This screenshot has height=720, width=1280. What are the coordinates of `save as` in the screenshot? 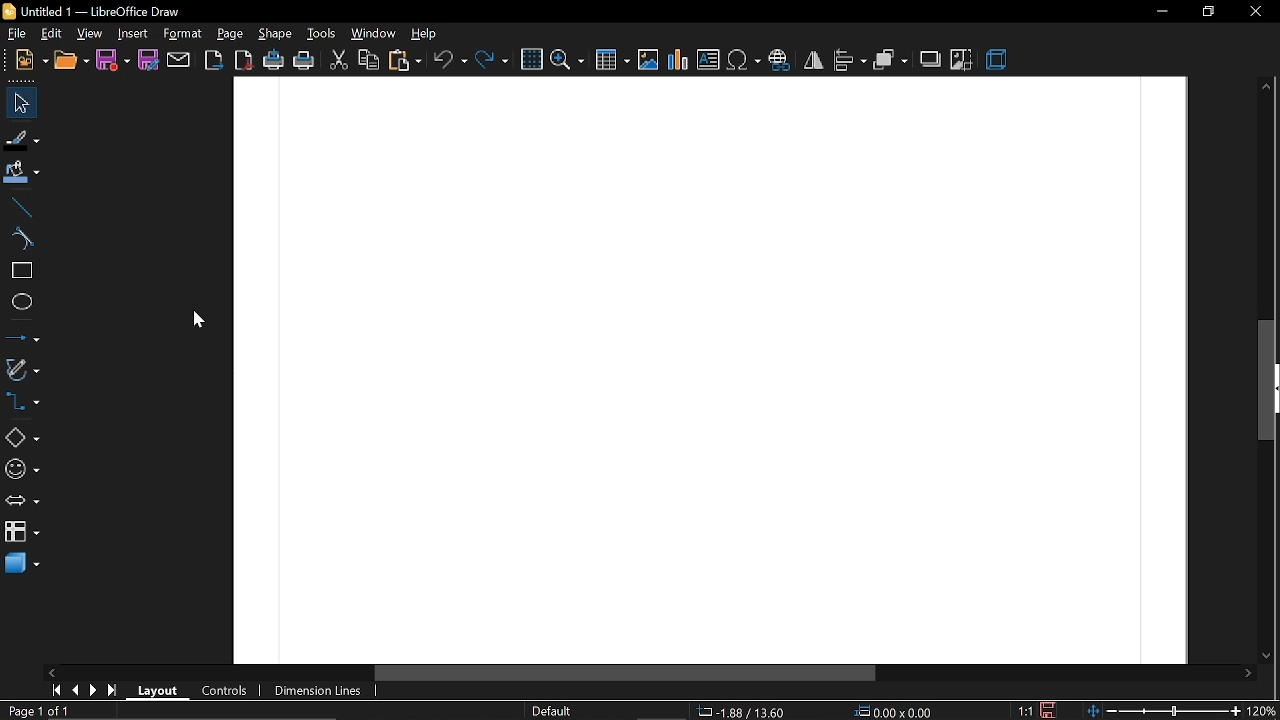 It's located at (150, 60).